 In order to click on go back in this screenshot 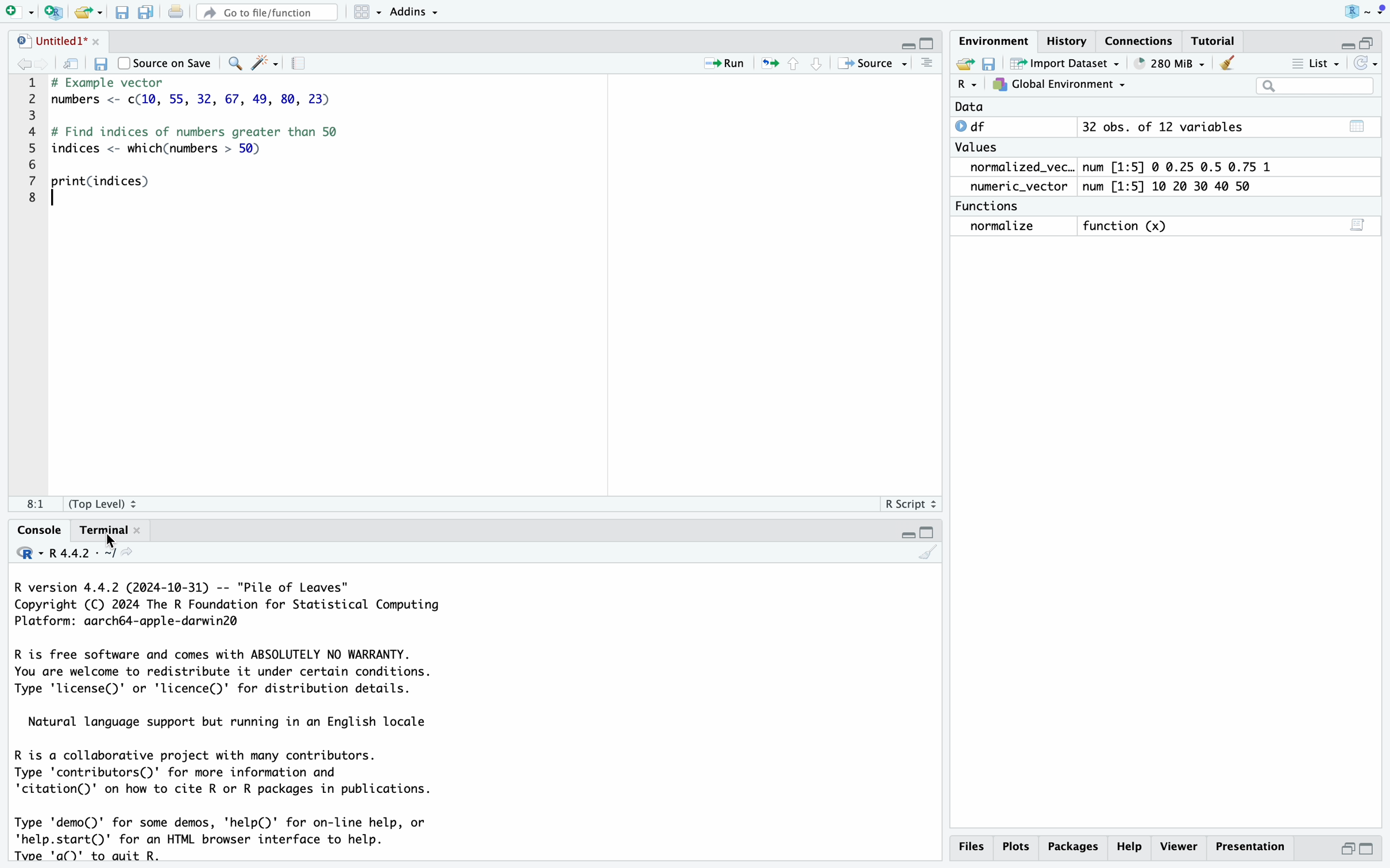, I will do `click(29, 65)`.